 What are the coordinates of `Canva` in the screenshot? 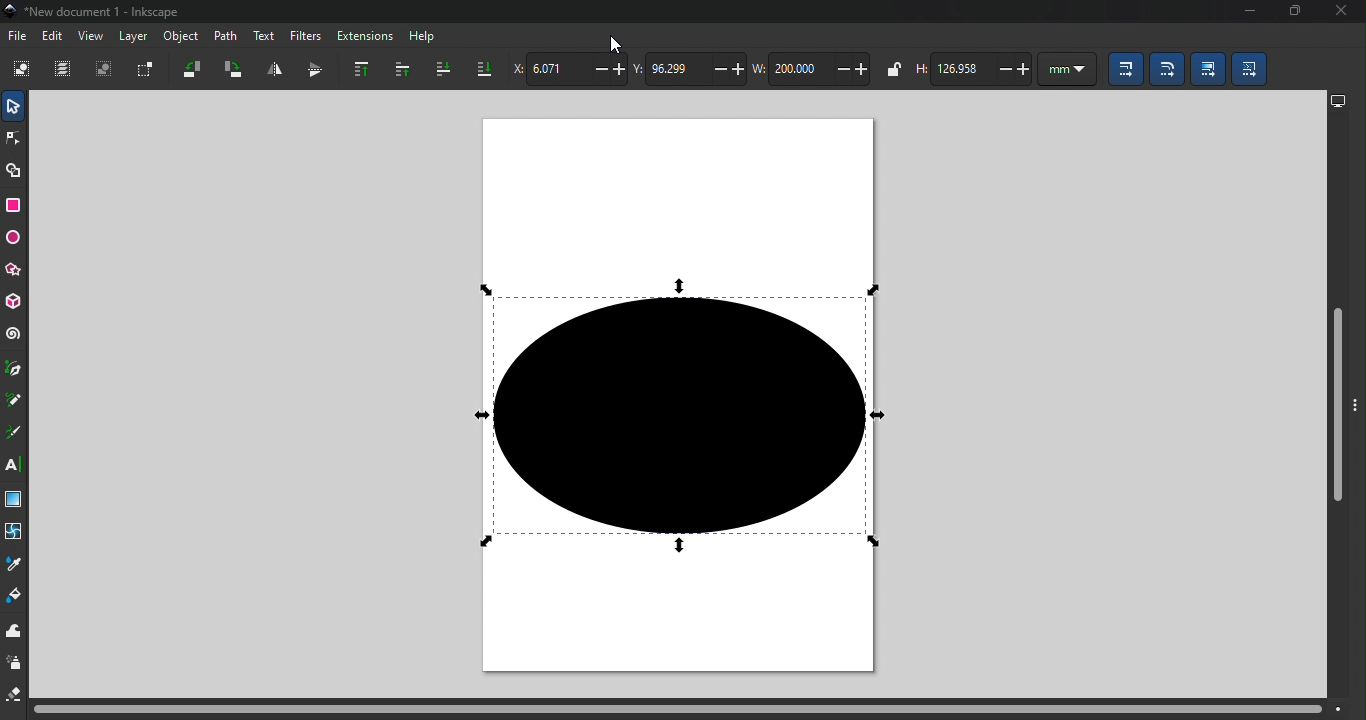 It's located at (686, 397).